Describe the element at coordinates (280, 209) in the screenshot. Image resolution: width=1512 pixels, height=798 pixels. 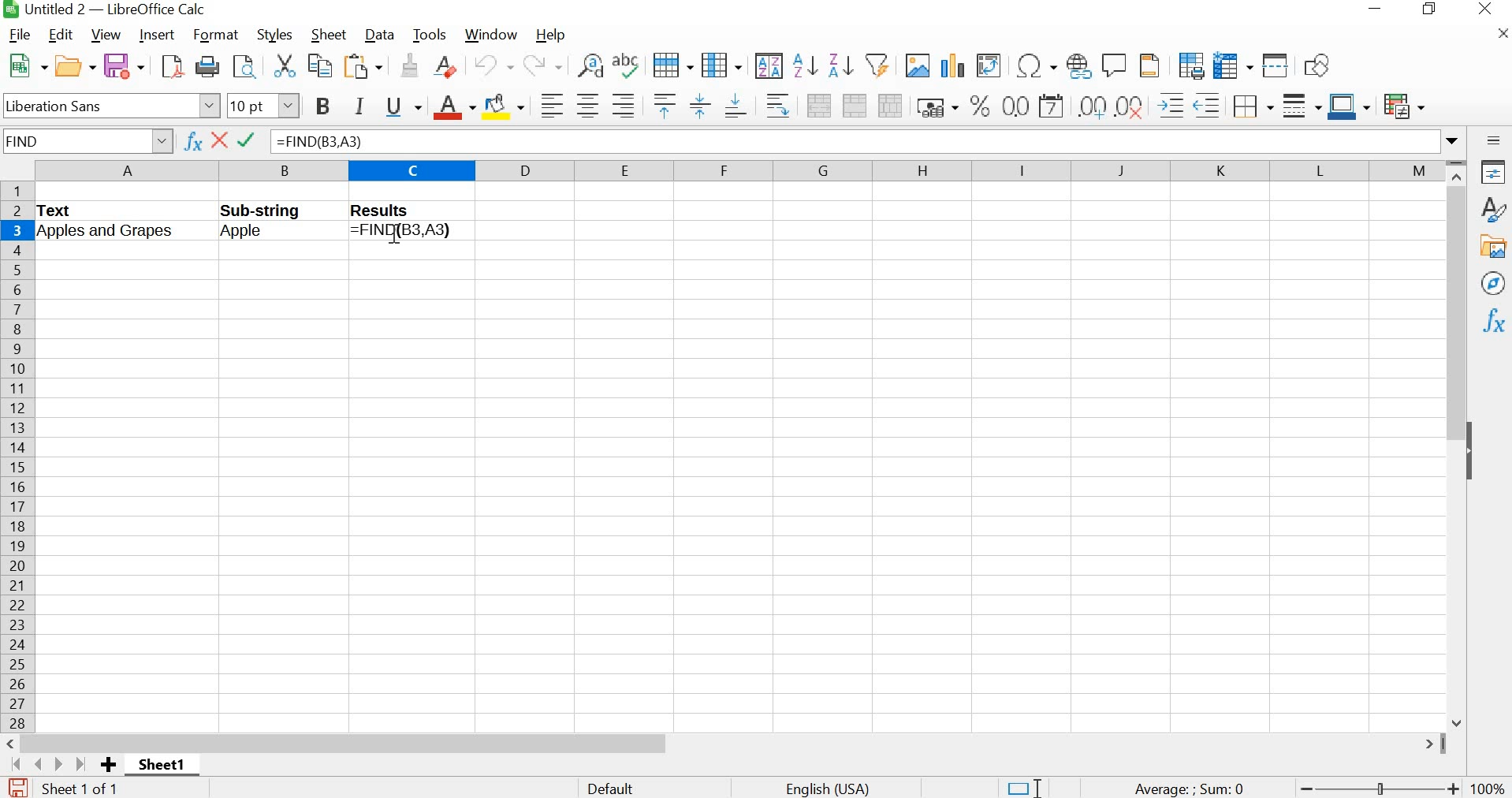
I see `Sub-string` at that location.